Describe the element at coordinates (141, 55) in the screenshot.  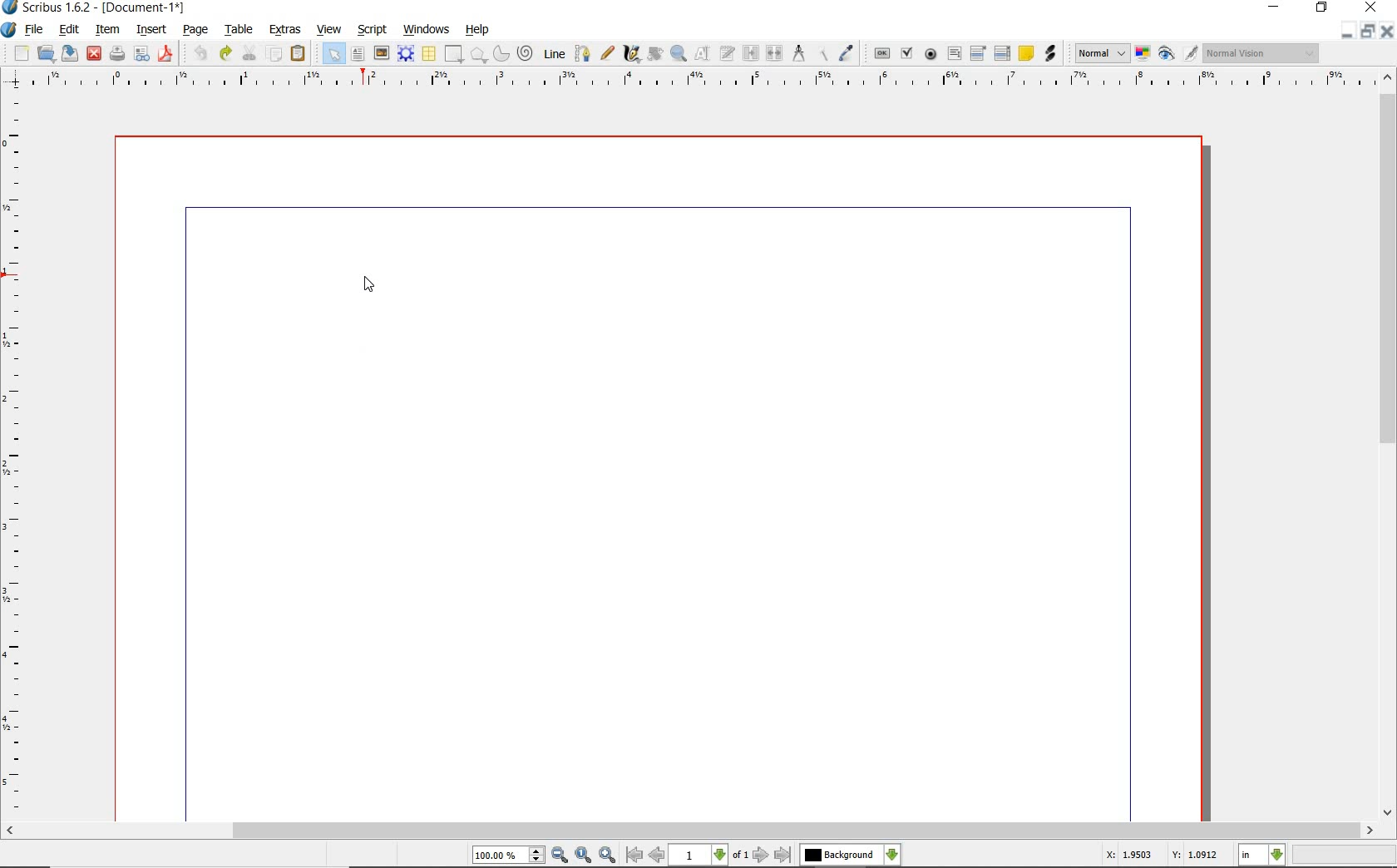
I see `preflight verifier` at that location.